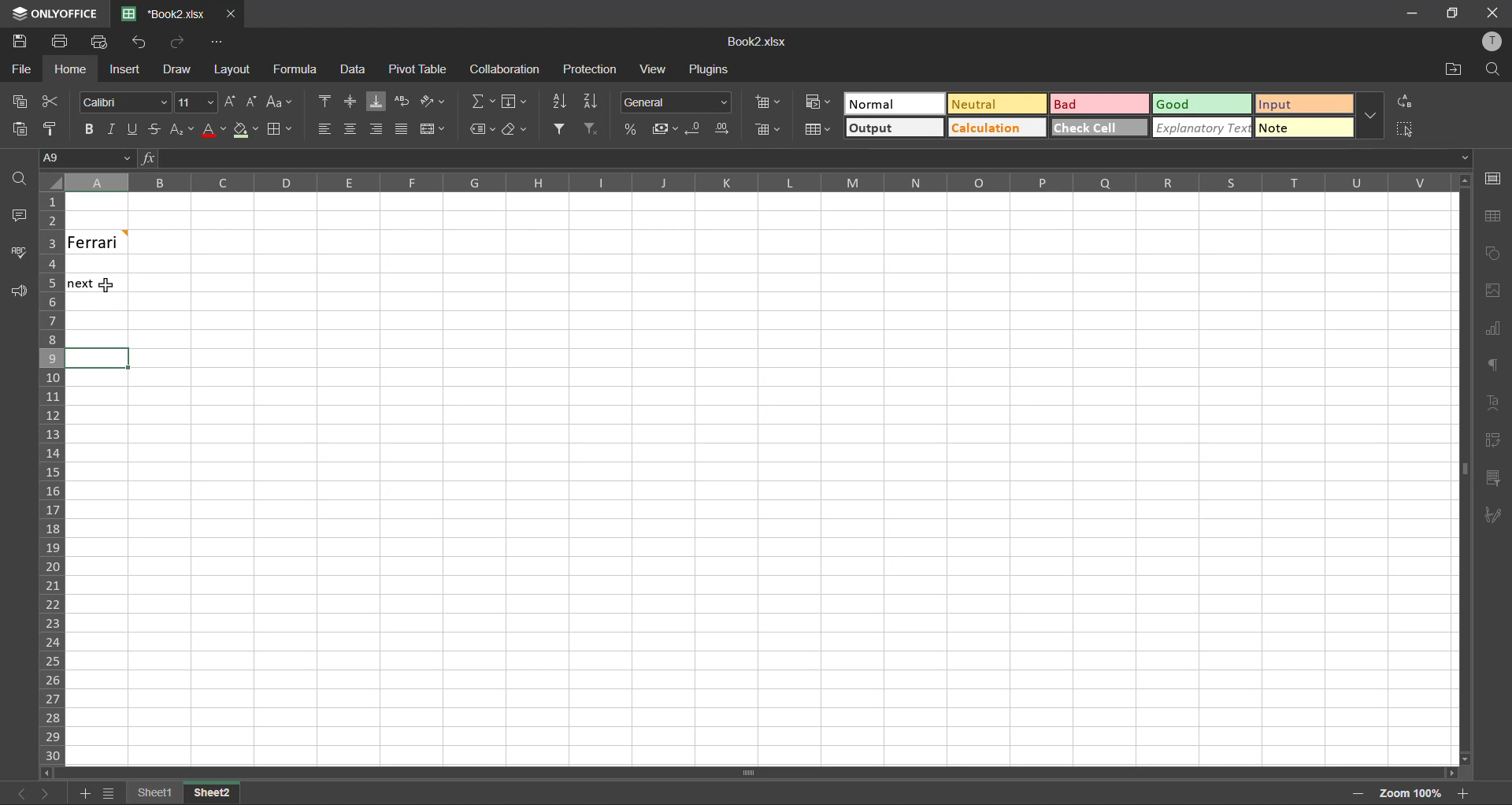 The width and height of the screenshot is (1512, 805). What do you see at coordinates (1450, 13) in the screenshot?
I see `maximize` at bounding box center [1450, 13].